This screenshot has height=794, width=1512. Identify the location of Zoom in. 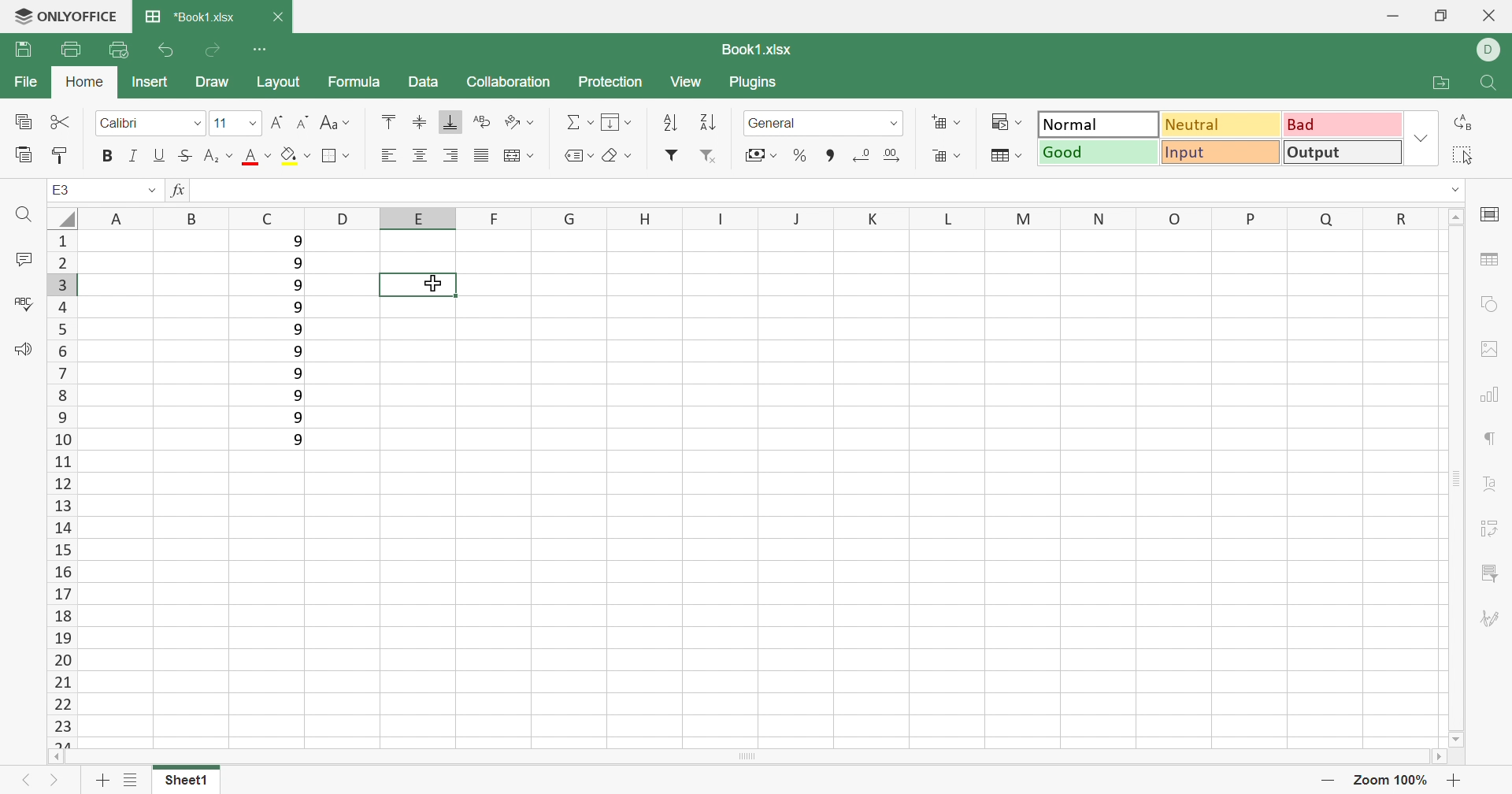
(1455, 781).